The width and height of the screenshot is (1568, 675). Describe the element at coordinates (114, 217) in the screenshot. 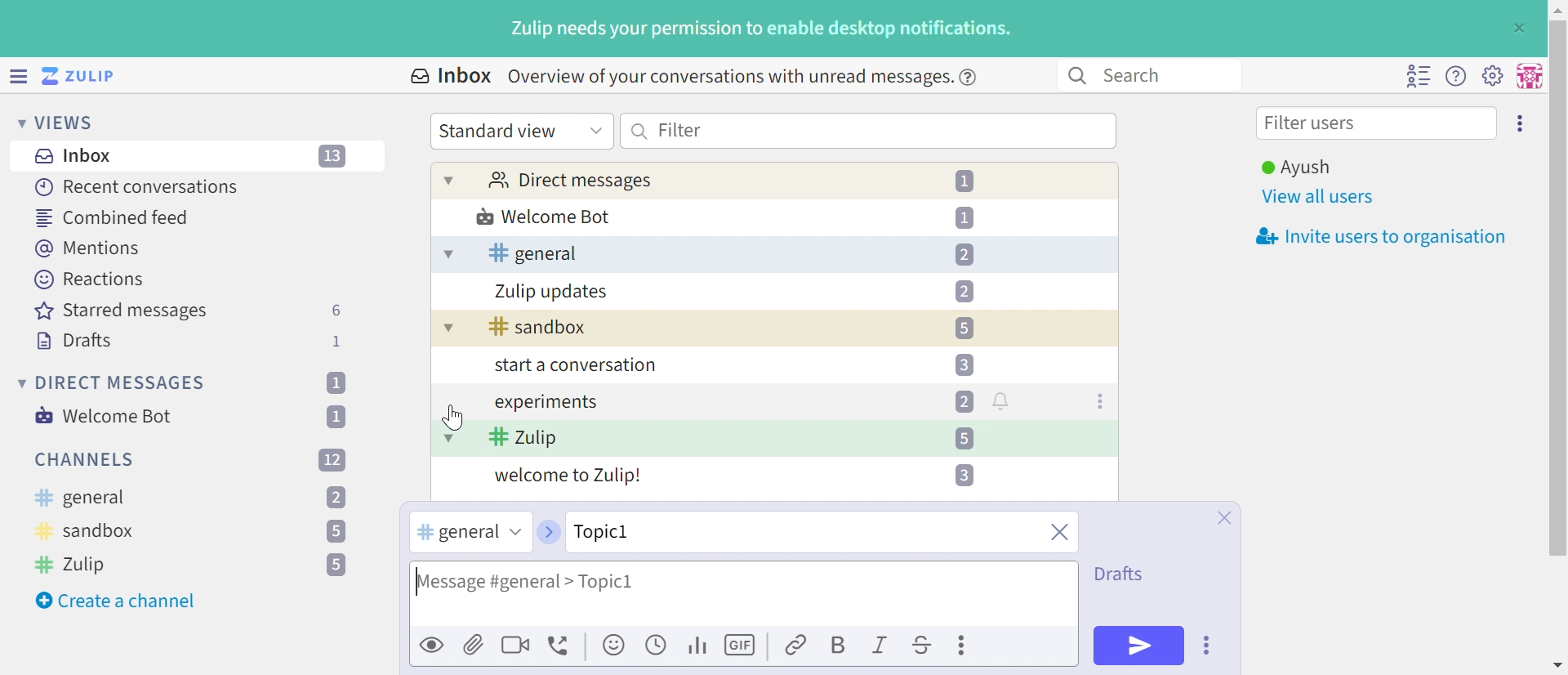

I see `Combined feed` at that location.